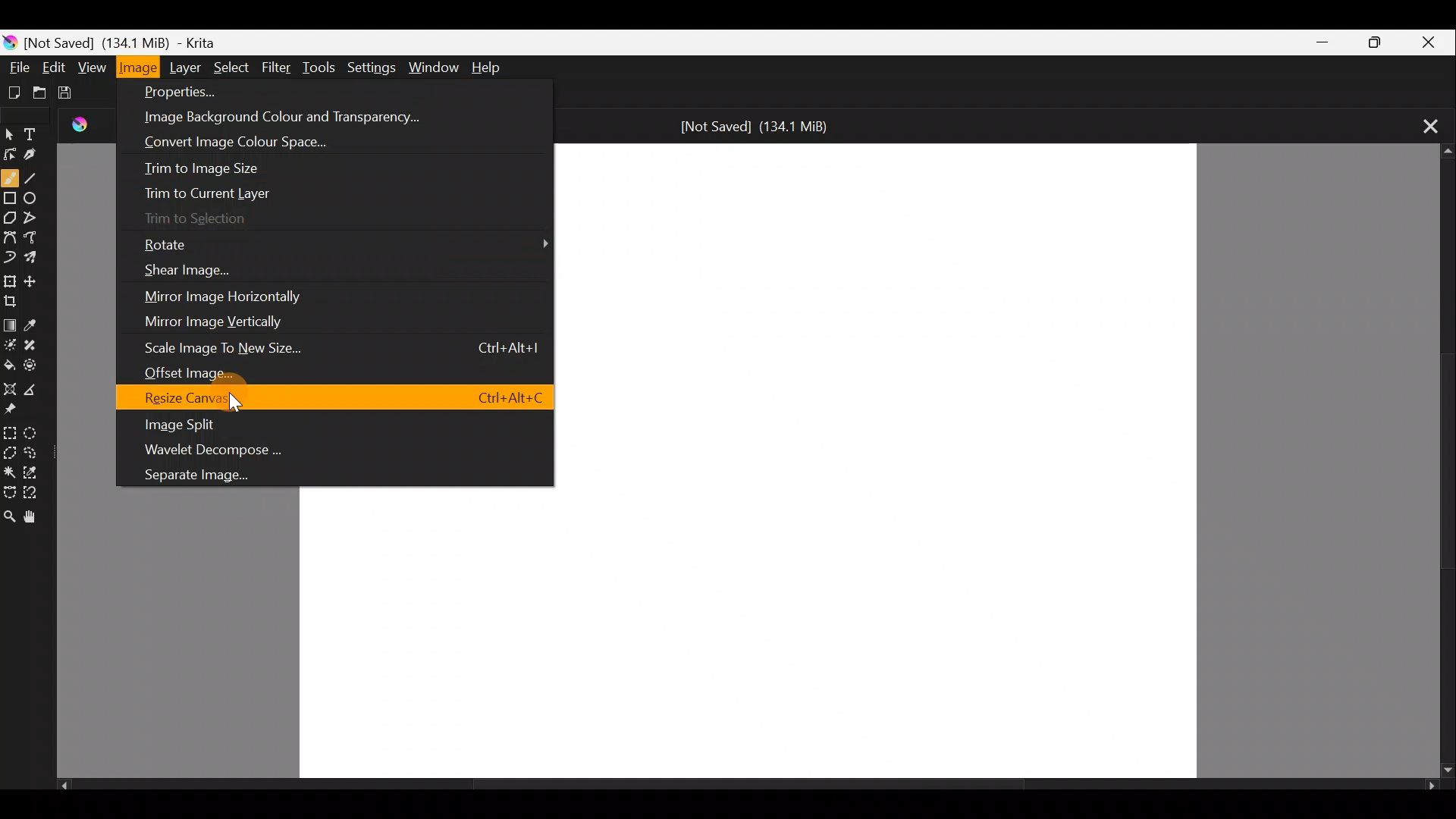 The image size is (1456, 819). I want to click on Image, so click(140, 67).